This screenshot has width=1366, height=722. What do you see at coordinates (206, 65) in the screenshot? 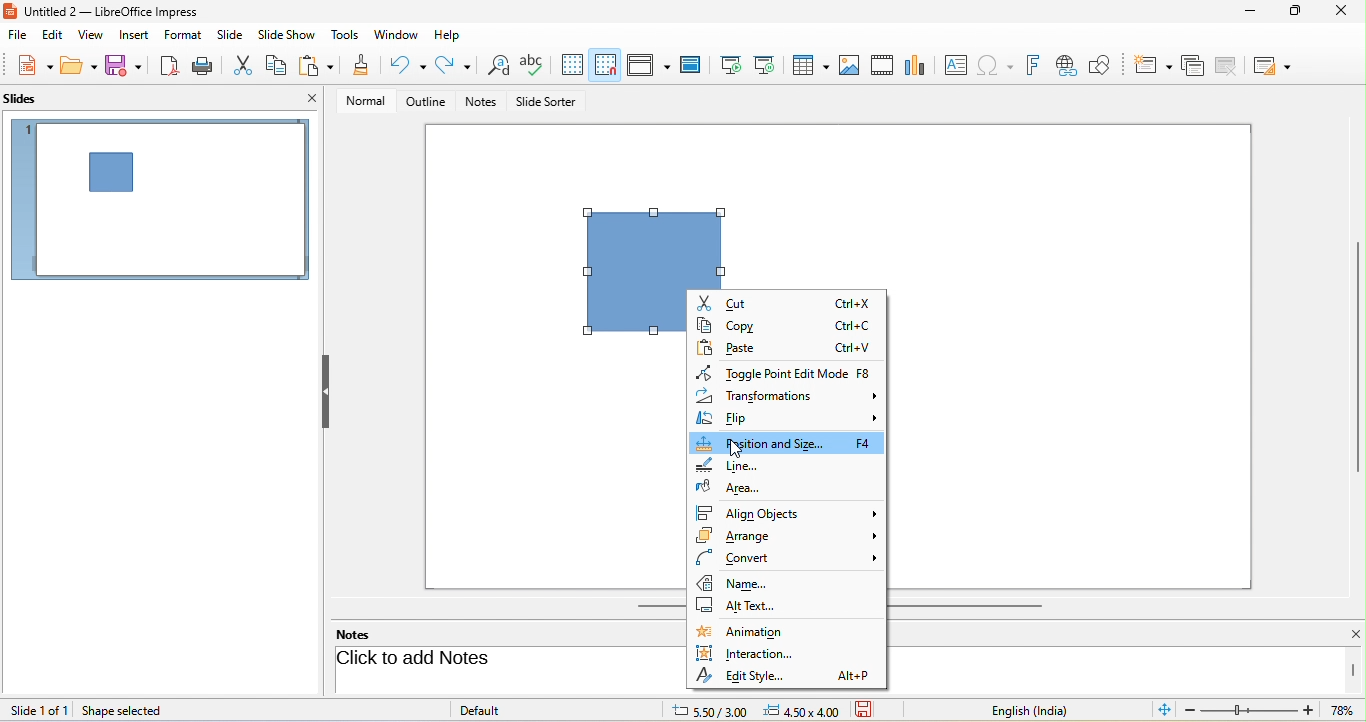
I see `print` at bounding box center [206, 65].